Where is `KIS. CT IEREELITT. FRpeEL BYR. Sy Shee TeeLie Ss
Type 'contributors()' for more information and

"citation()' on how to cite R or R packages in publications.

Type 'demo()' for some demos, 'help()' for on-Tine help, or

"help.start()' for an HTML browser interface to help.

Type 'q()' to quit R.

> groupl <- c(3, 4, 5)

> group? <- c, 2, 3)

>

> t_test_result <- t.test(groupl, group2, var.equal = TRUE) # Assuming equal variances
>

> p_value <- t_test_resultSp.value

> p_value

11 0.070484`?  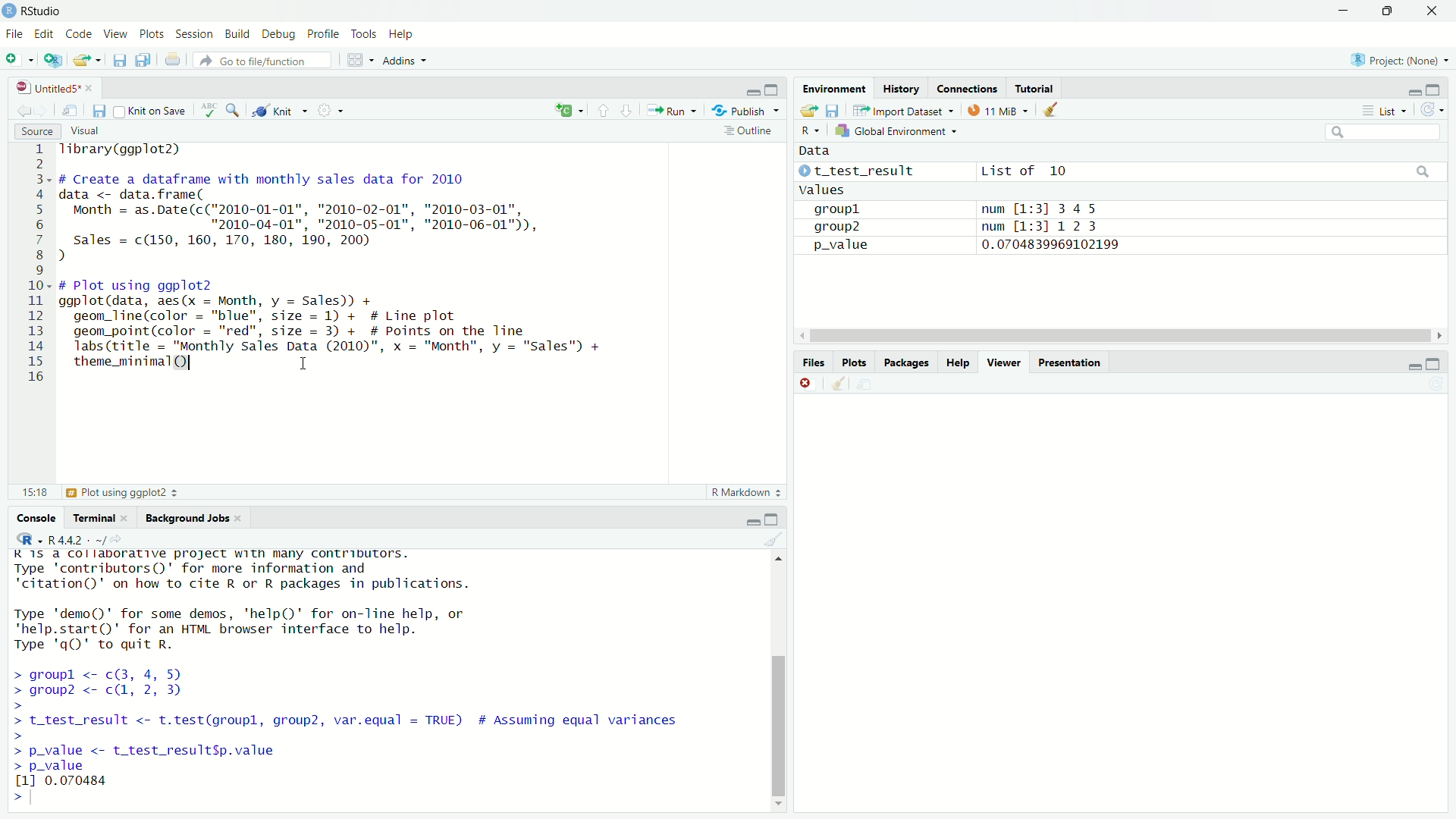 KIS. CT IEREELITT. FRpeEL BYR. Sy Shee TeeLie Ss
Type 'contributors()' for more information and

"citation()' on how to cite R or R packages in publications.

Type 'demo()' for some demos, 'help()' for on-Tine help, or

"help.start()' for an HTML browser interface to help.

Type 'q()' to quit R.

> groupl <- c(3, 4, 5)

> group? <- c, 2, 3)

>

> t_test_result <- t.test(groupl, group2, var.equal = TRUE) # Assuming equal variances
>

> p_value <- t_test_resultSp.value

> p_value

11 0.070484 is located at coordinates (355, 668).